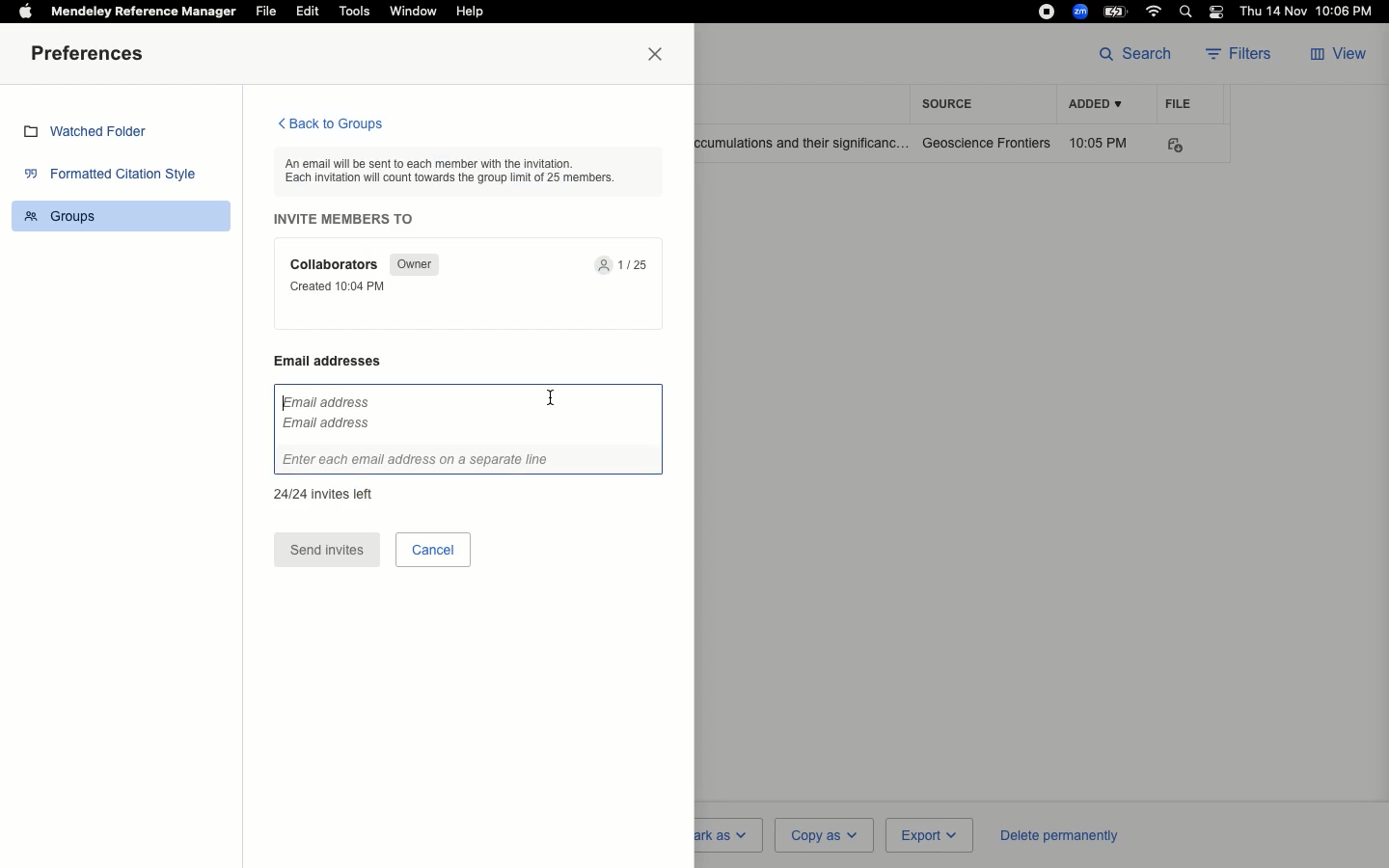 This screenshot has height=868, width=1389. What do you see at coordinates (1311, 12) in the screenshot?
I see `Date/time` at bounding box center [1311, 12].